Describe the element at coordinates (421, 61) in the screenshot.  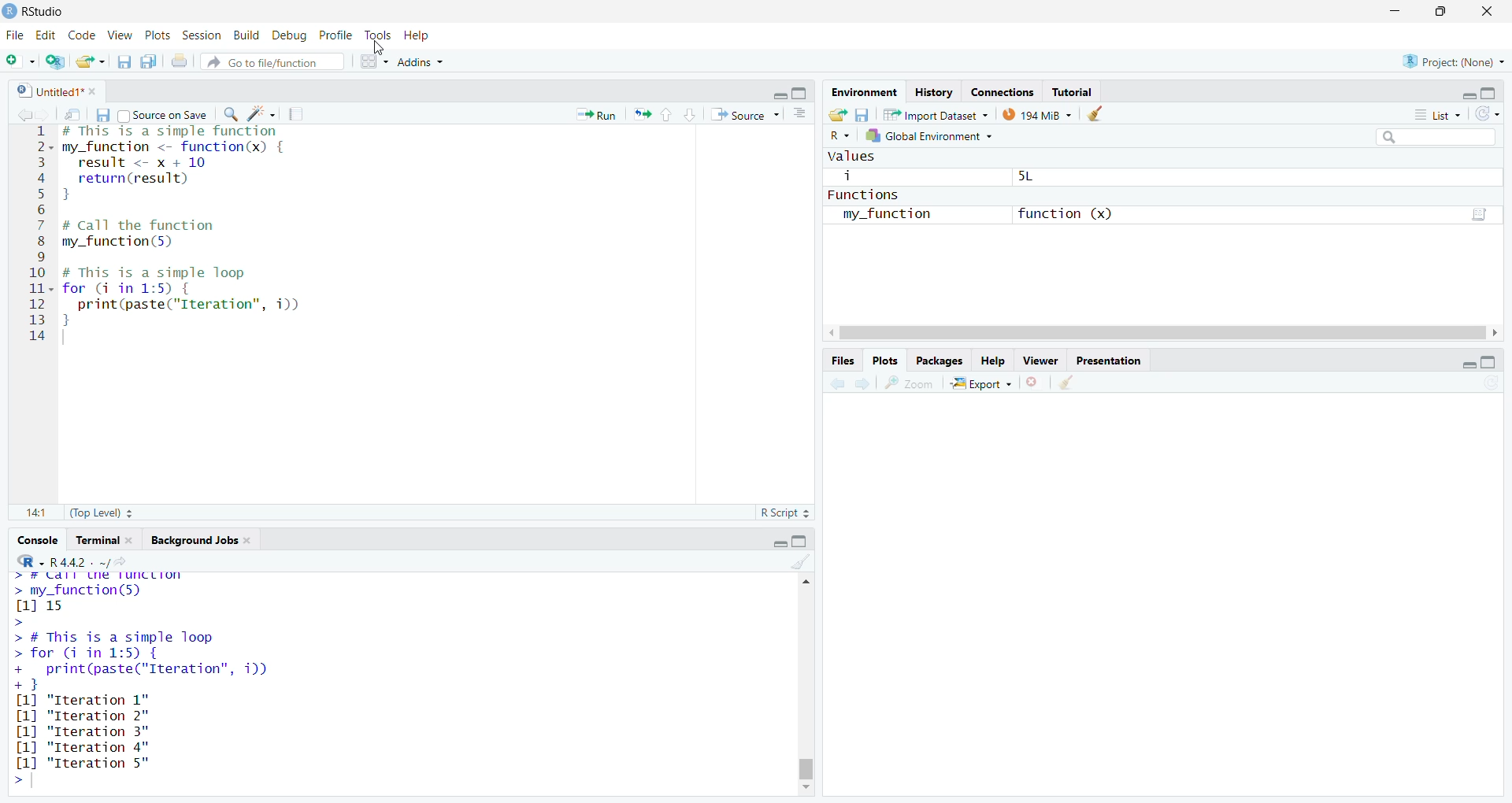
I see `addins` at that location.